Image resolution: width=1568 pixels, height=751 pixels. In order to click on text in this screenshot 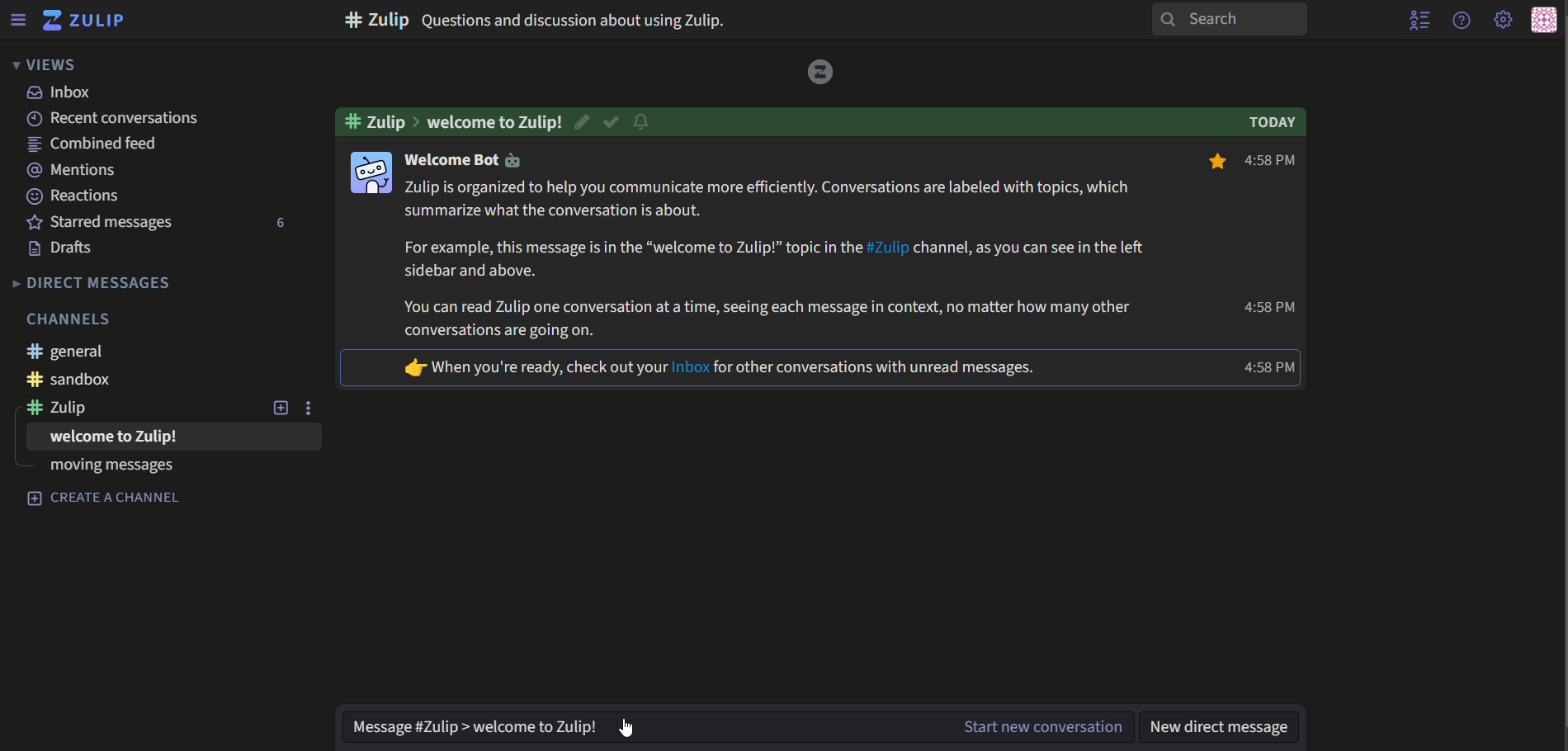, I will do `click(63, 93)`.